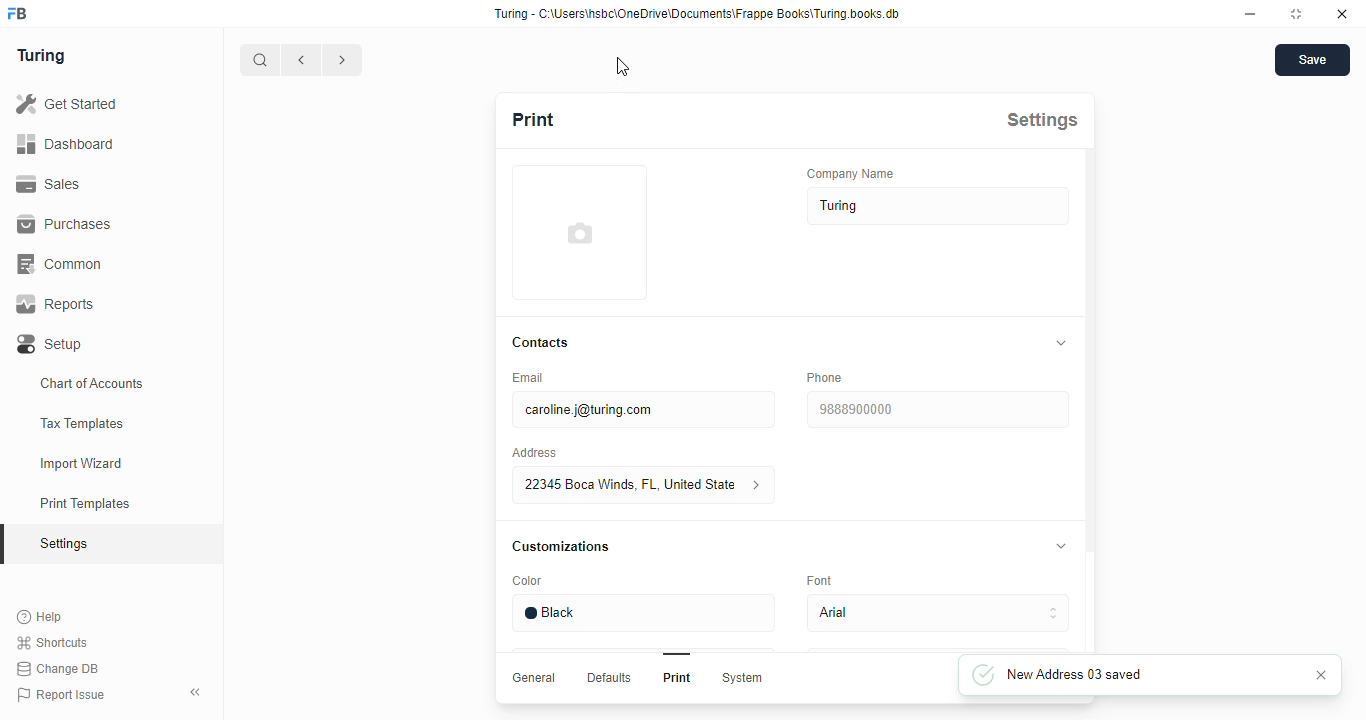 This screenshot has width=1366, height=720. What do you see at coordinates (64, 224) in the screenshot?
I see `purchases` at bounding box center [64, 224].